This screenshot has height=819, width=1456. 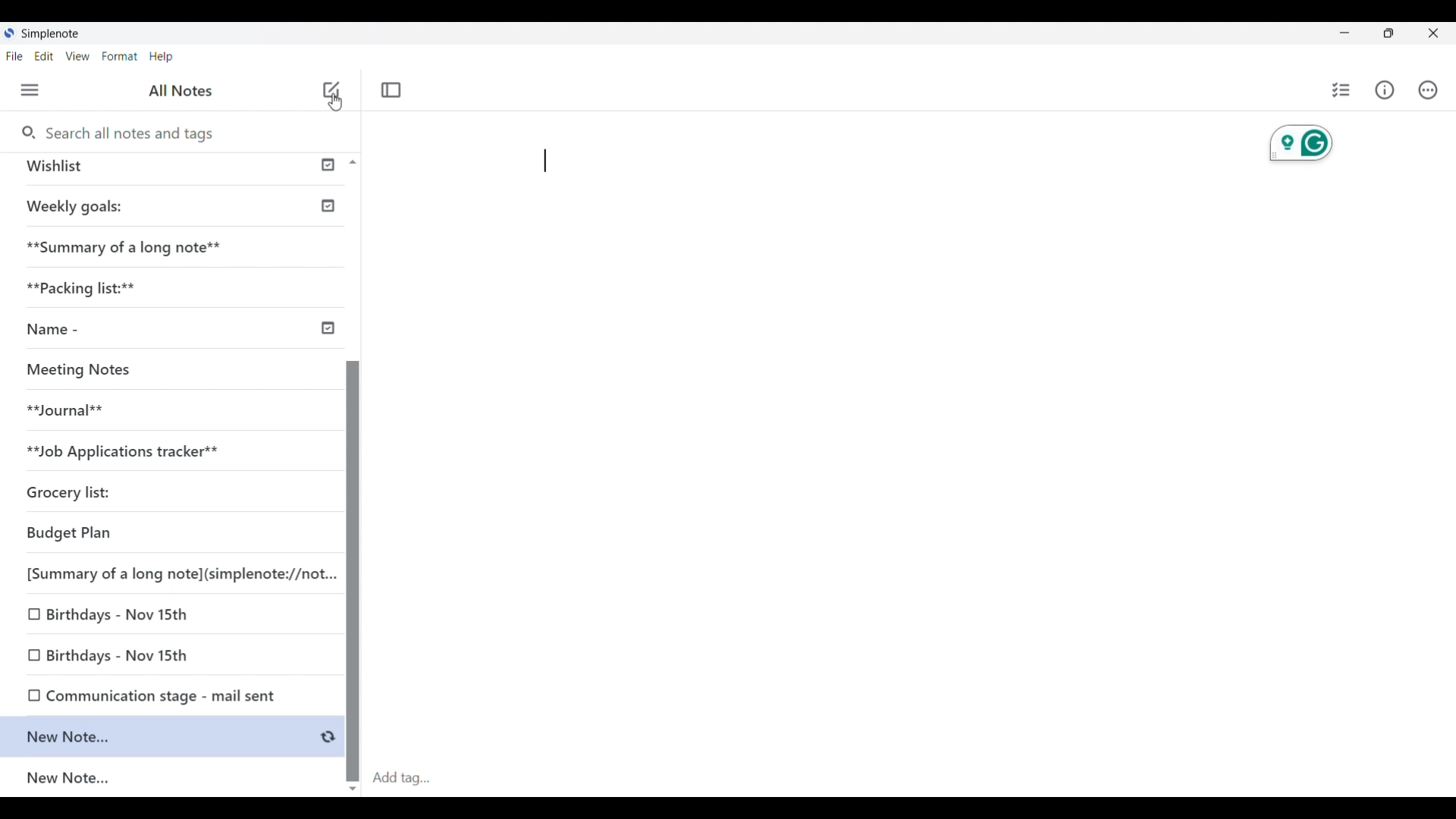 What do you see at coordinates (188, 92) in the screenshot?
I see `All Notes` at bounding box center [188, 92].